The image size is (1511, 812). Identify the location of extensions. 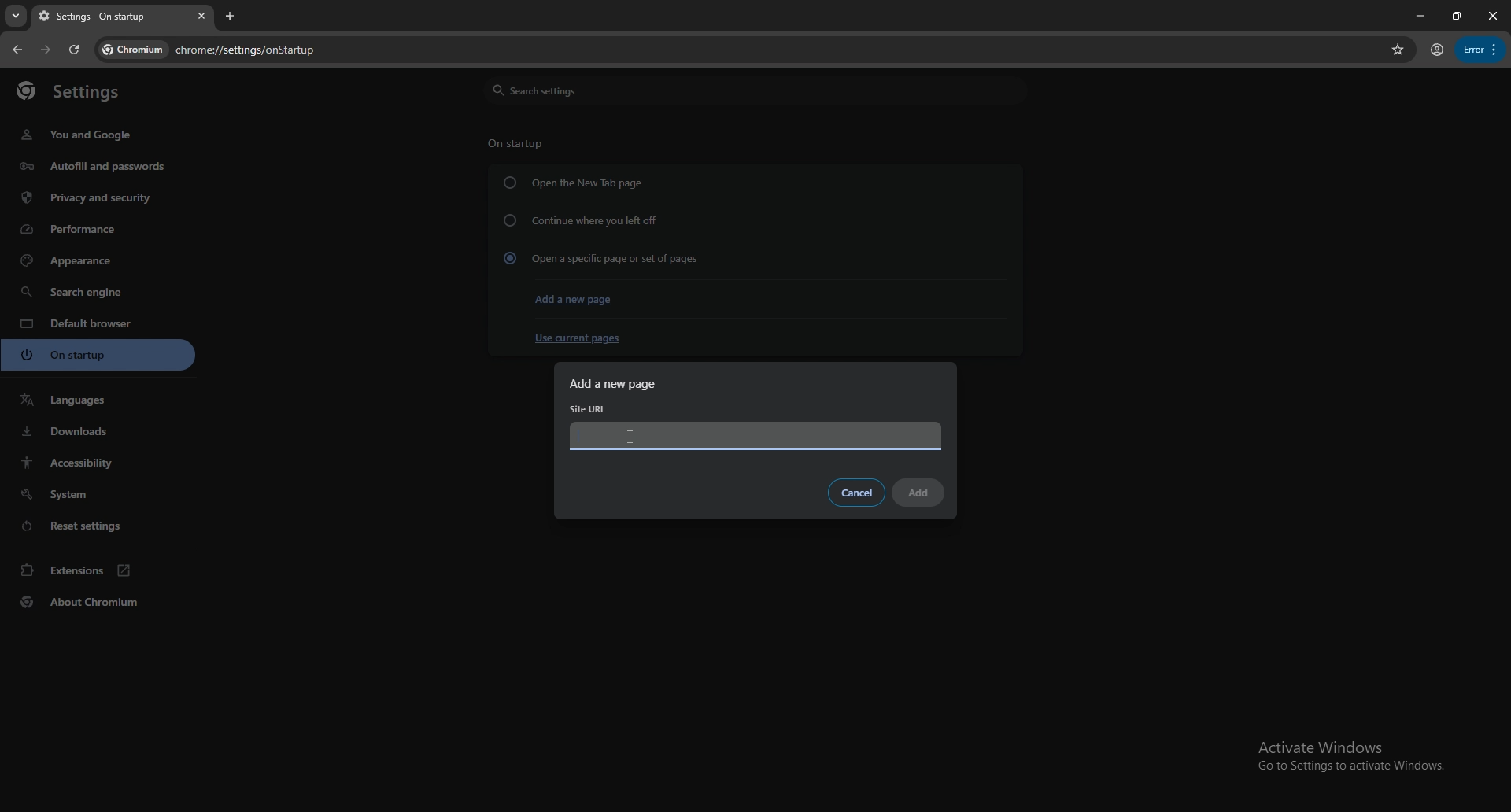
(99, 570).